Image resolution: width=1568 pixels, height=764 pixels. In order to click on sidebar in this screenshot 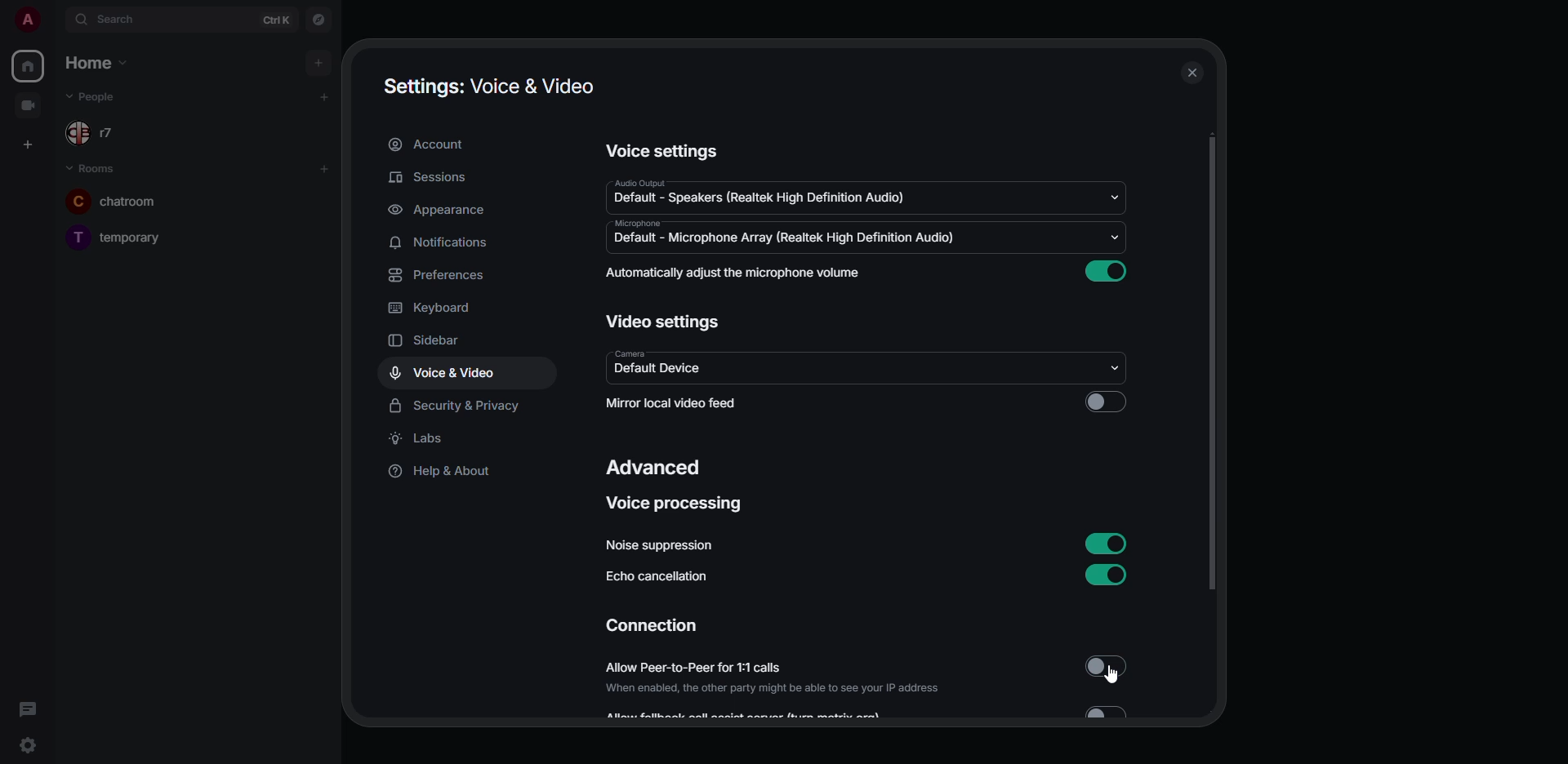, I will do `click(439, 342)`.